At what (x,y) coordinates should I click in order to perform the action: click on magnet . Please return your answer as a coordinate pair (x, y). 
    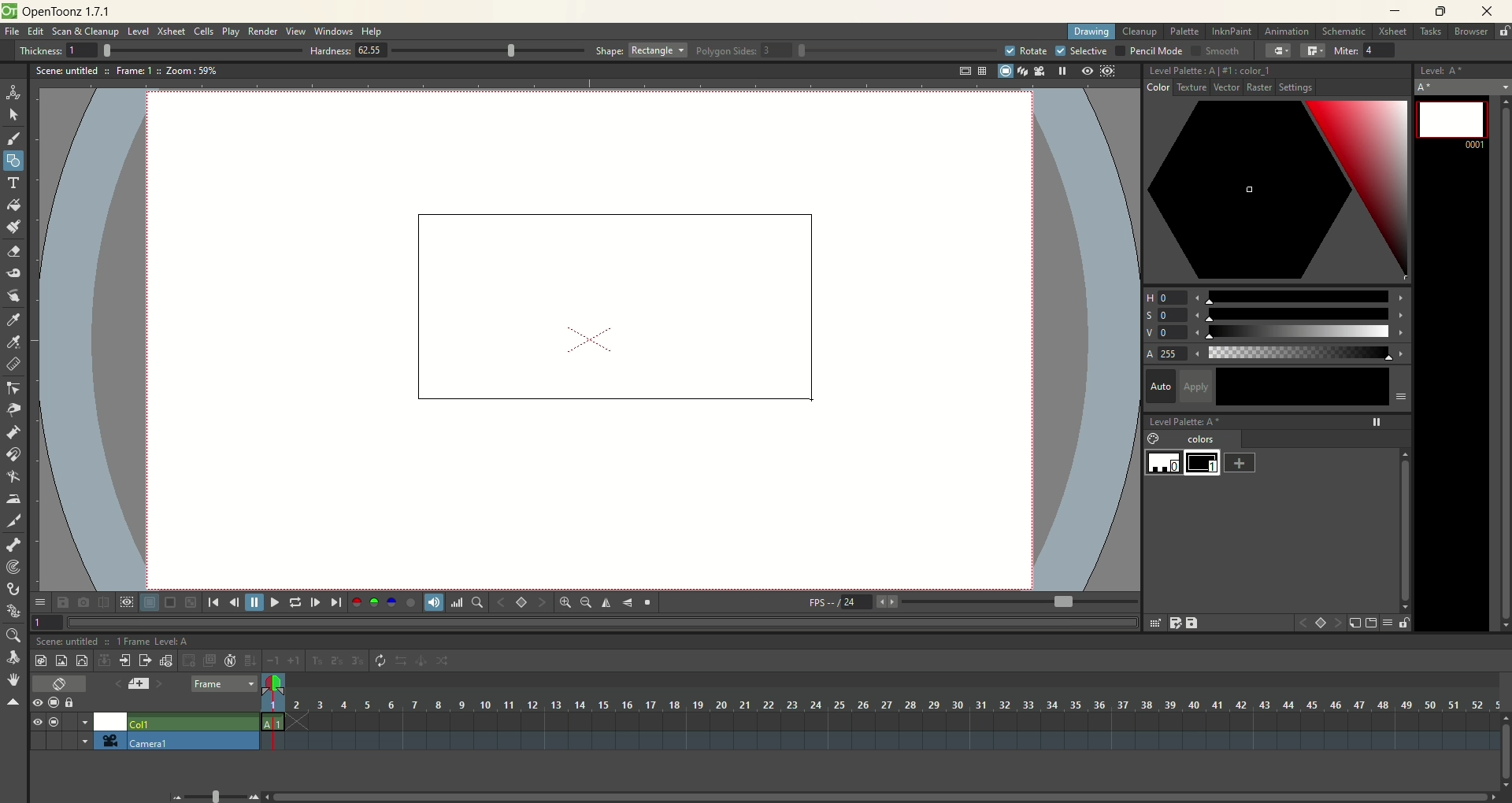
    Looking at the image, I should click on (14, 453).